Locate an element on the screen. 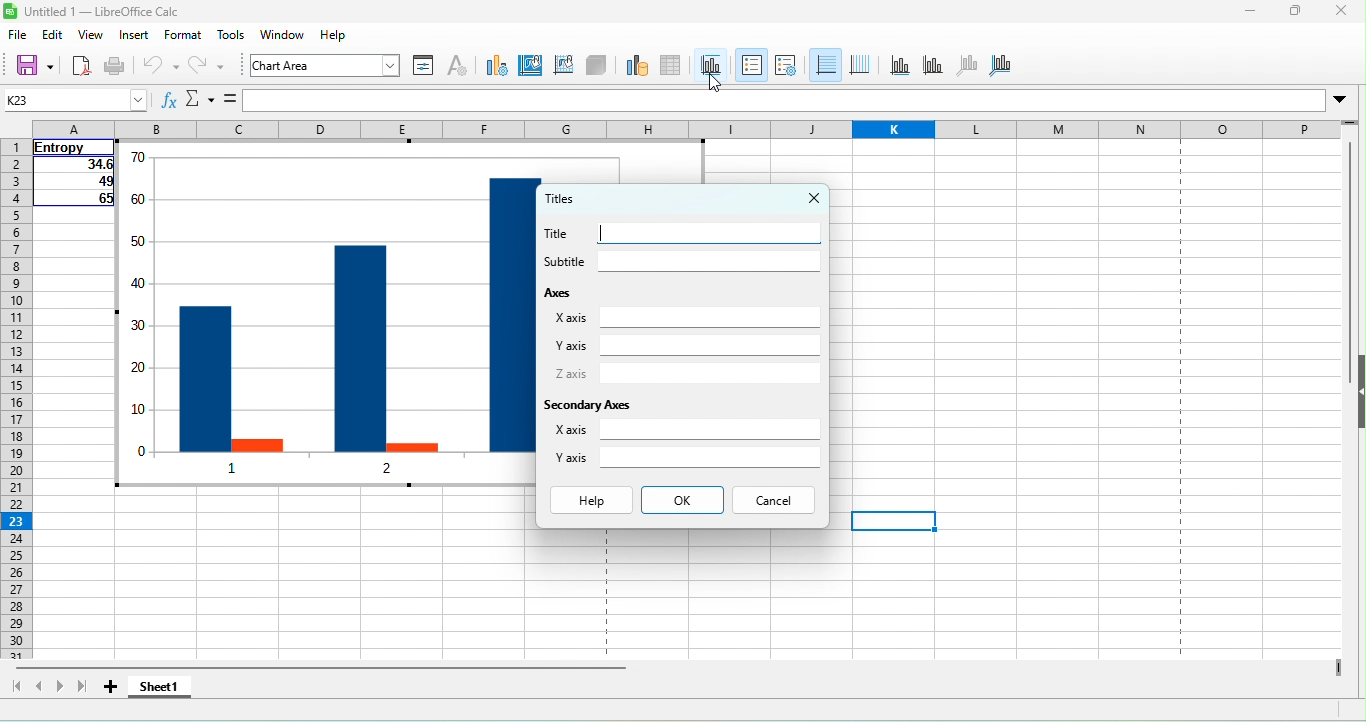 Image resolution: width=1366 pixels, height=722 pixels. scroll to next sheet is located at coordinates (59, 687).